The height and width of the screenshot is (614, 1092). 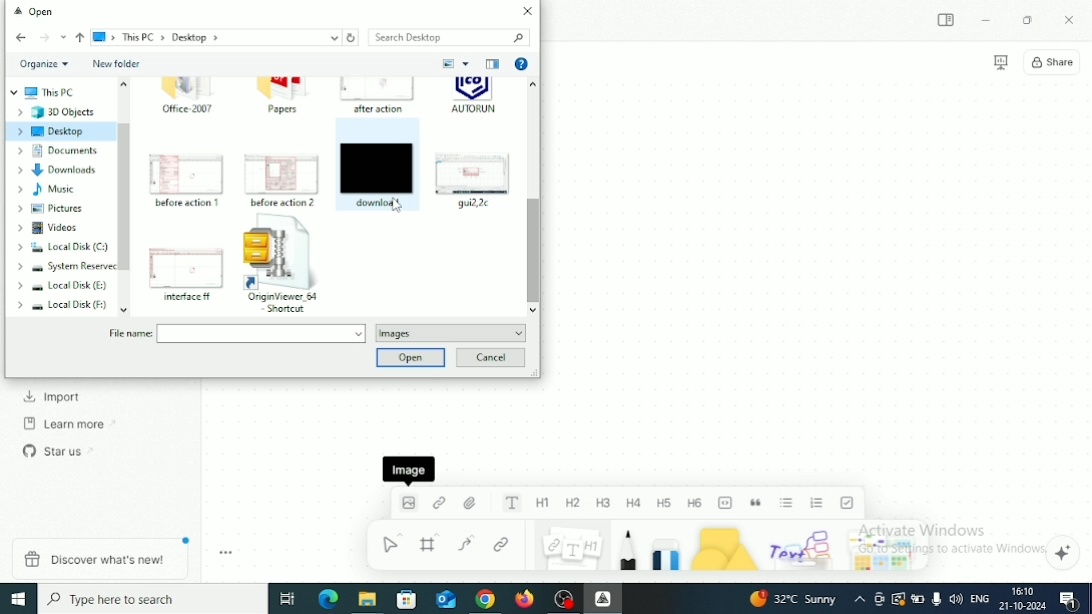 I want to click on Heading 2, so click(x=573, y=504).